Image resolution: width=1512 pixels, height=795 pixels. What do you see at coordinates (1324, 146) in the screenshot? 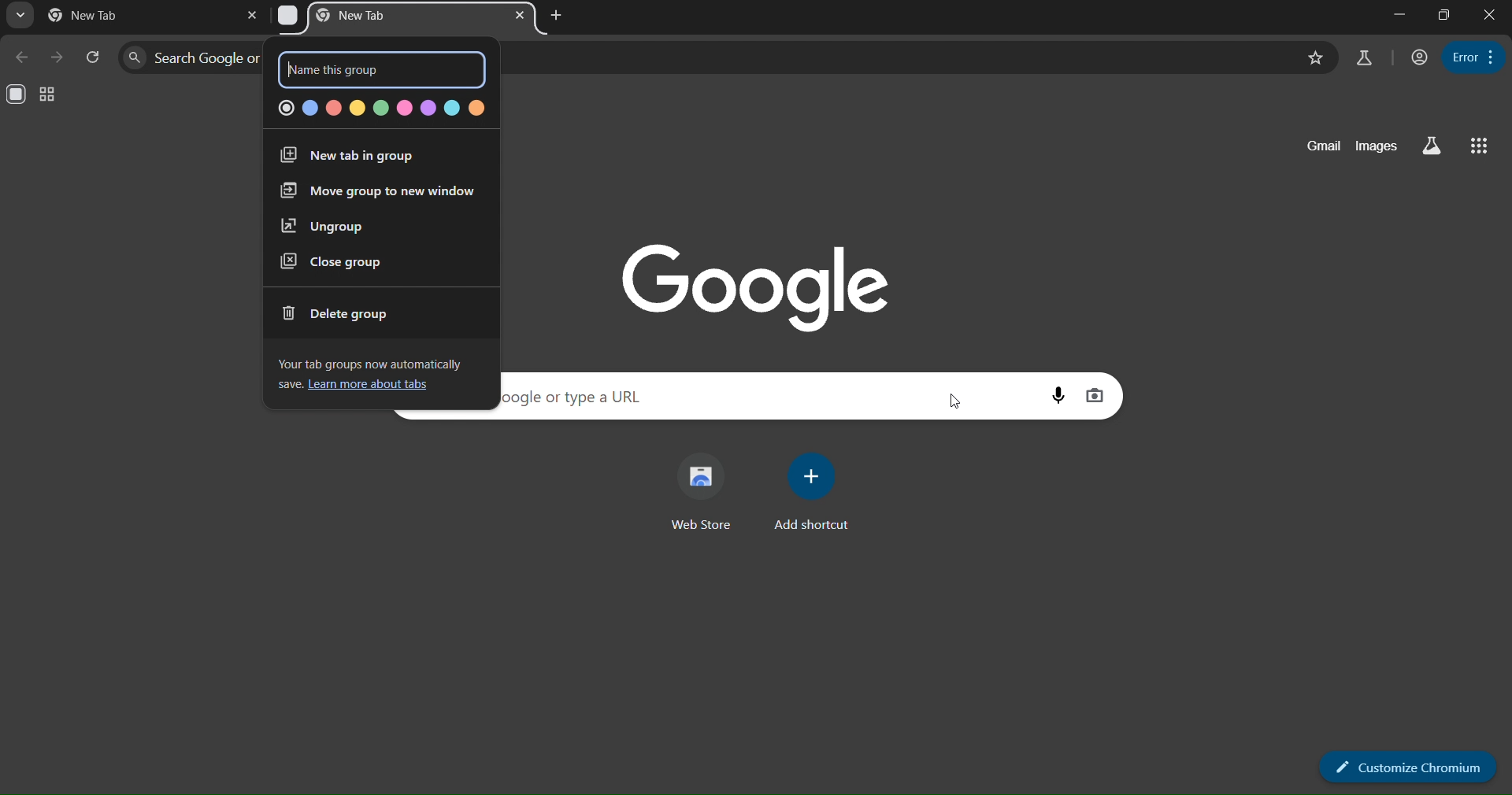
I see `gmail` at bounding box center [1324, 146].